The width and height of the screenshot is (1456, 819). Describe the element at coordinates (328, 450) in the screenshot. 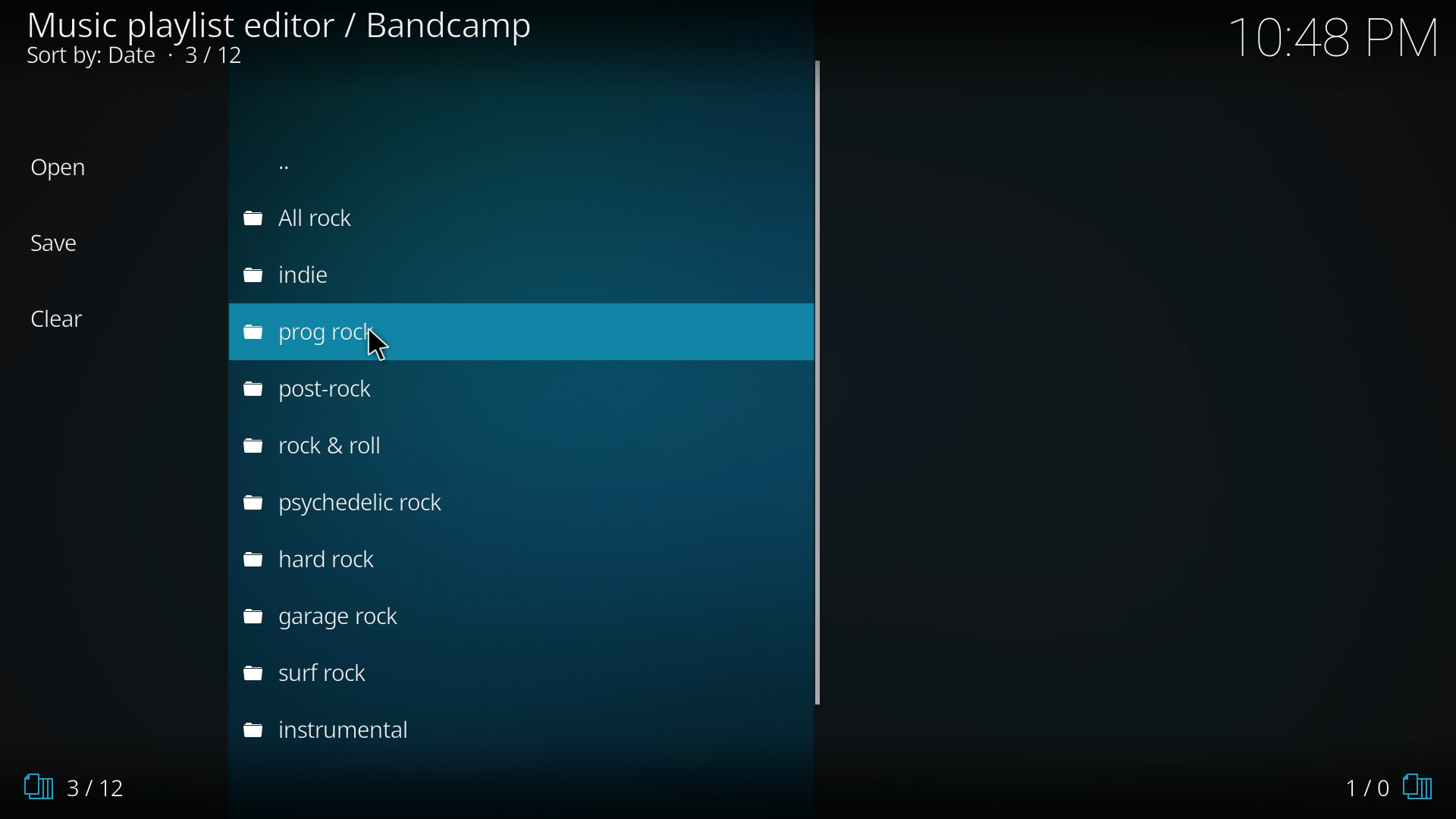

I see `rock and roll` at that location.